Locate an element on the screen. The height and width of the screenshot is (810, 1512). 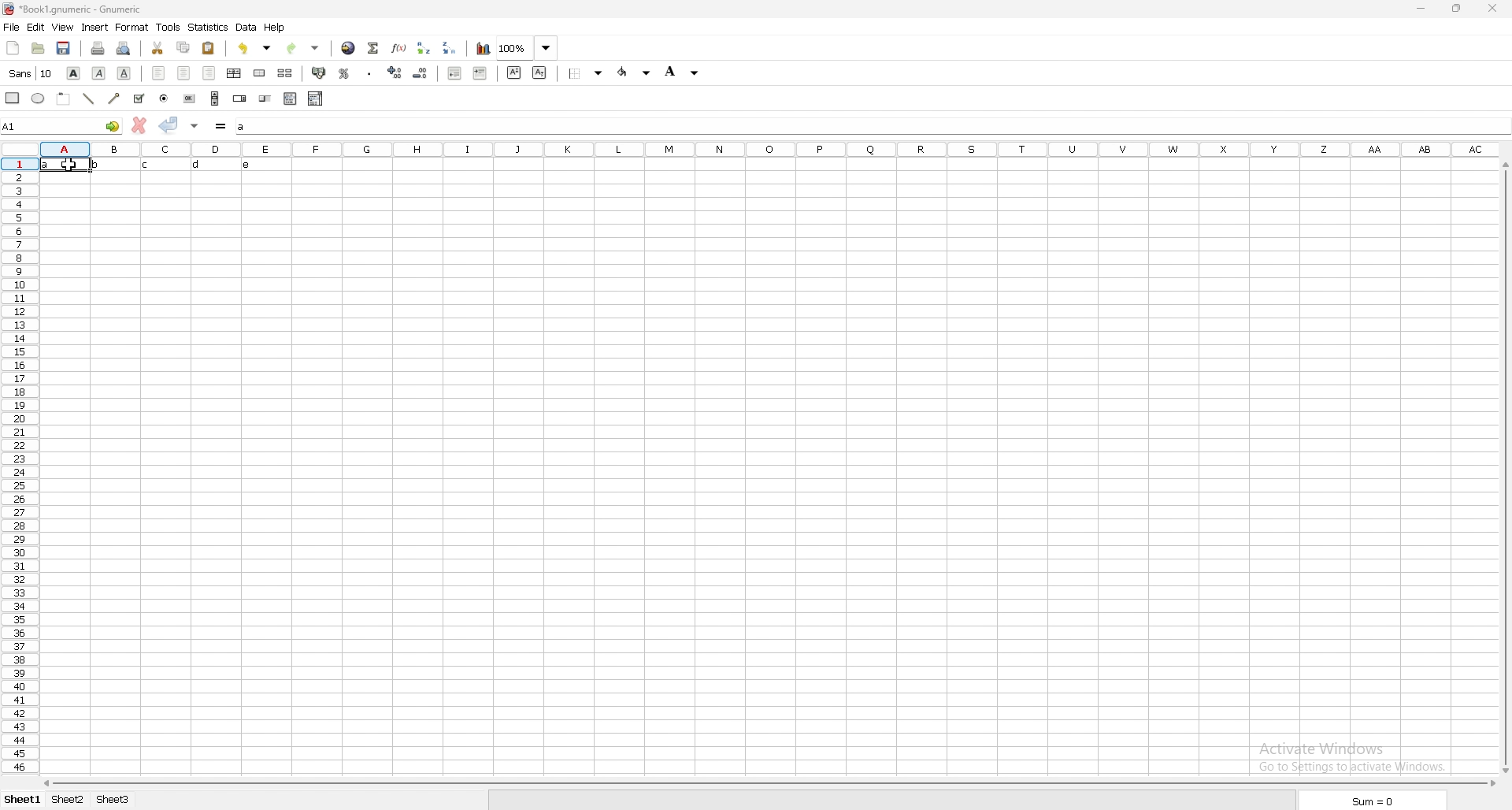
resize is located at coordinates (1455, 9).